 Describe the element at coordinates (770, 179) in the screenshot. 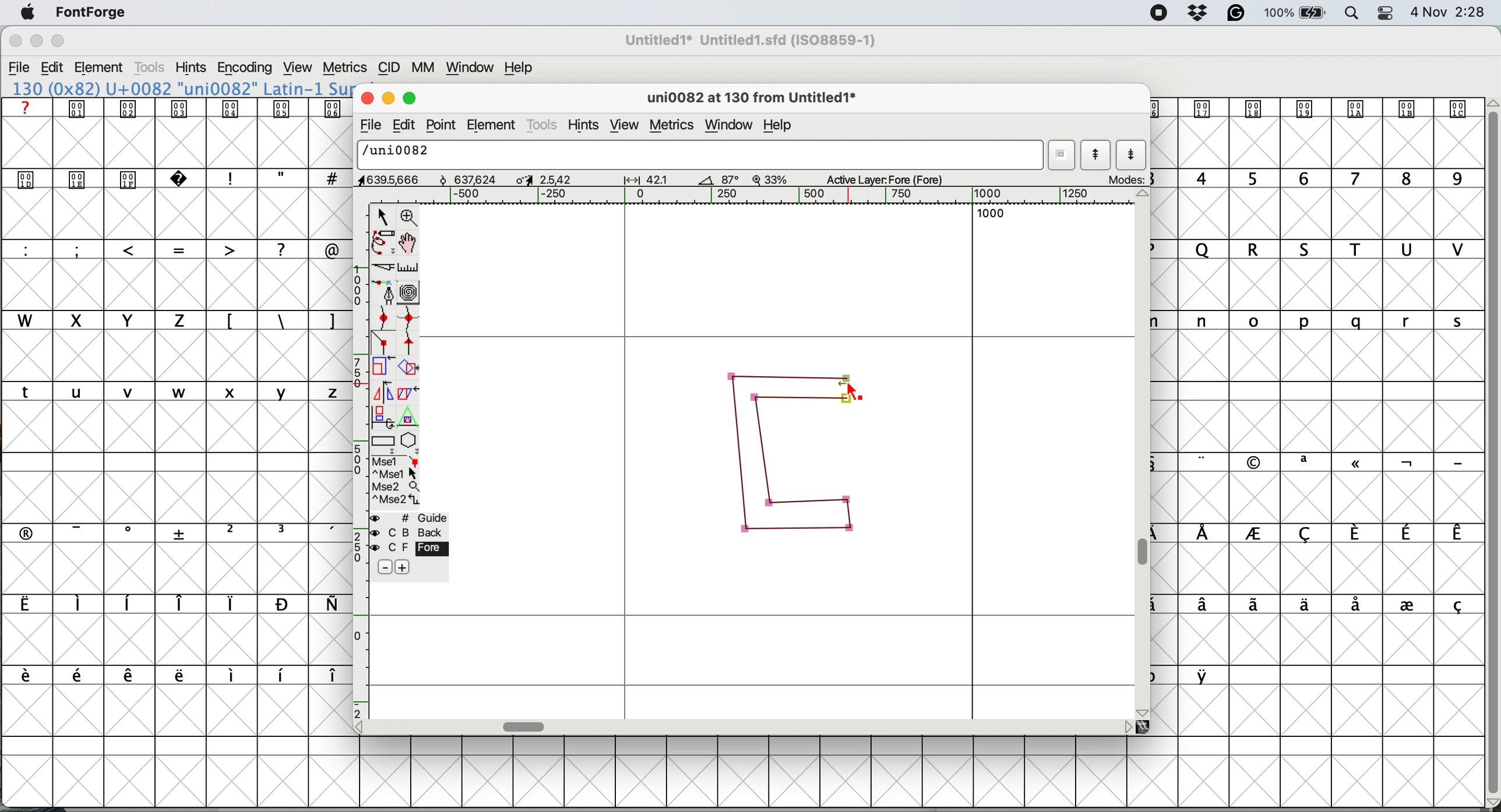

I see `zoom factor` at that location.